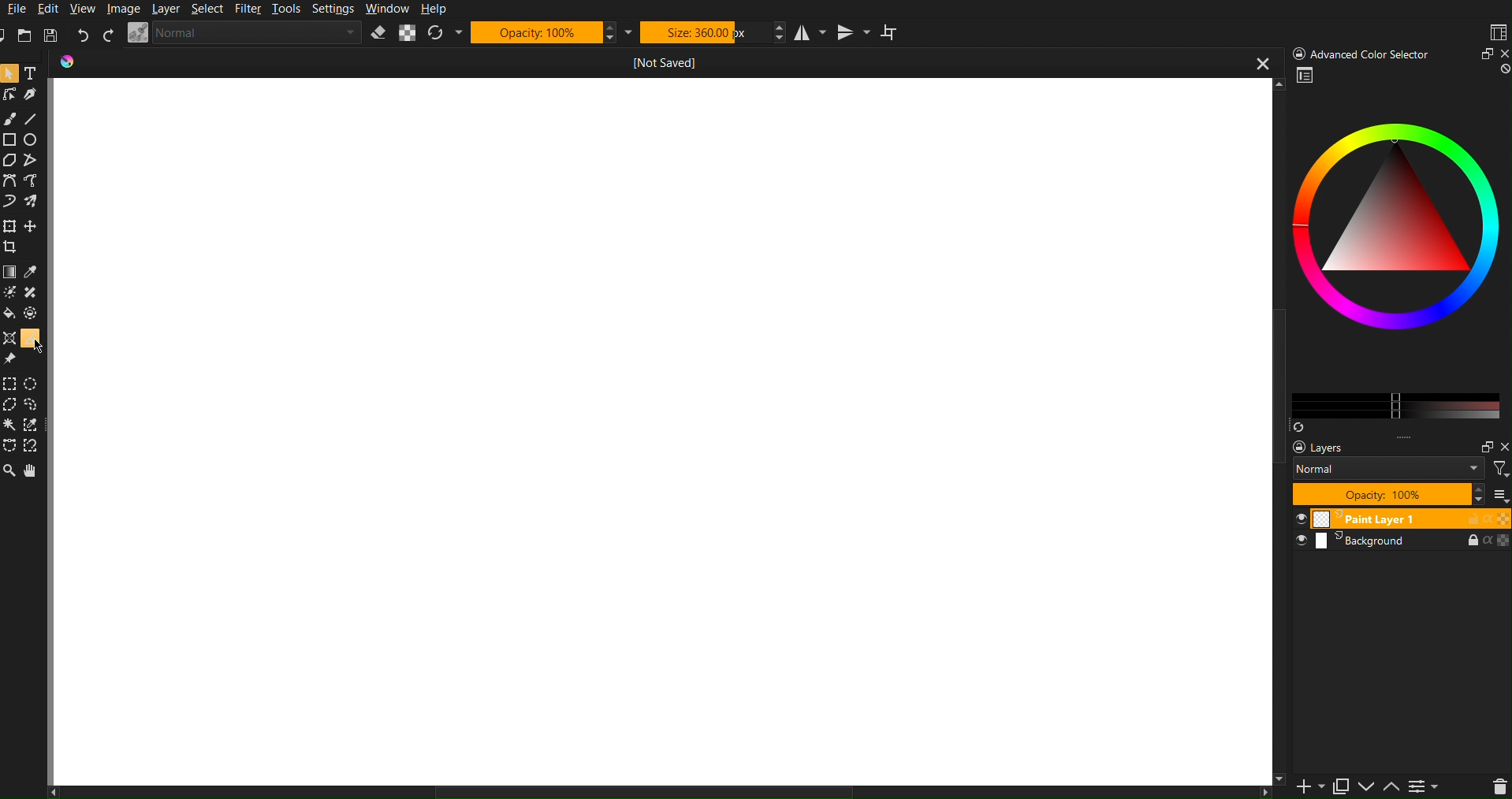 This screenshot has height=799, width=1512. What do you see at coordinates (1396, 248) in the screenshot?
I see `Advanced Color Selector` at bounding box center [1396, 248].